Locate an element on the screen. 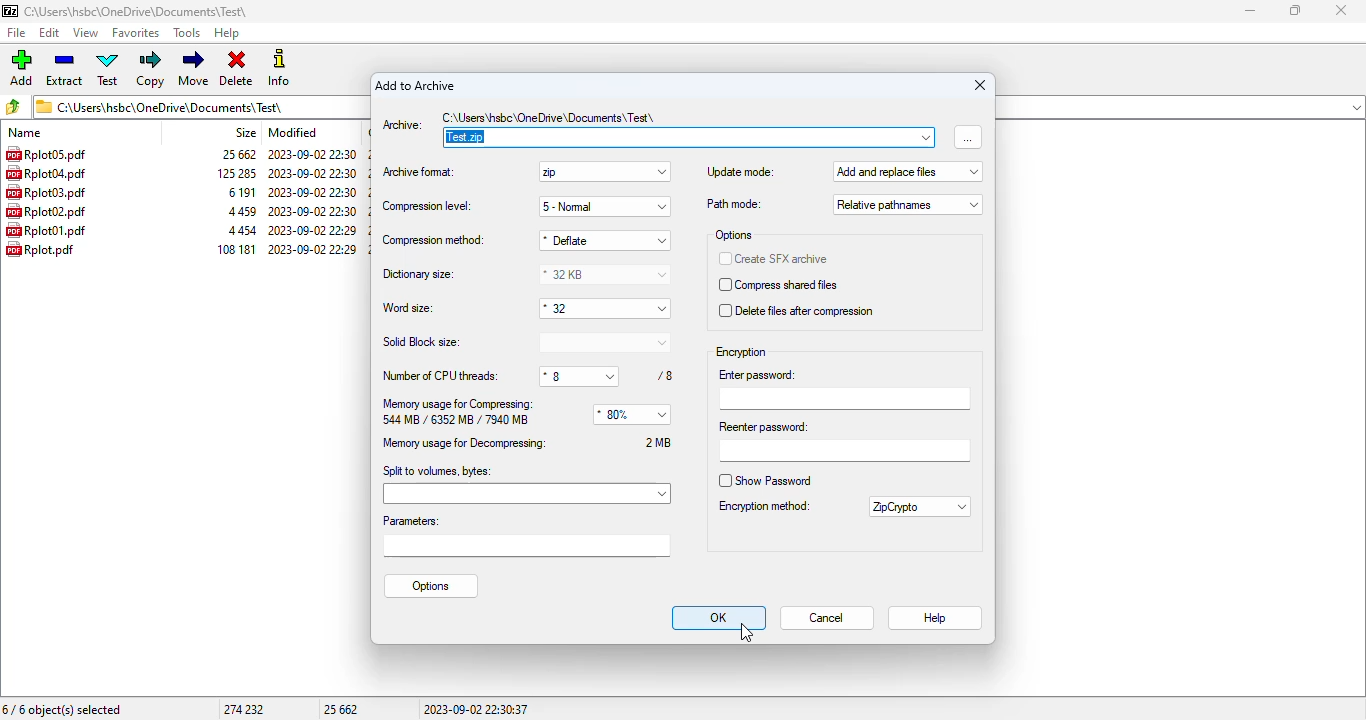  size is located at coordinates (238, 173).